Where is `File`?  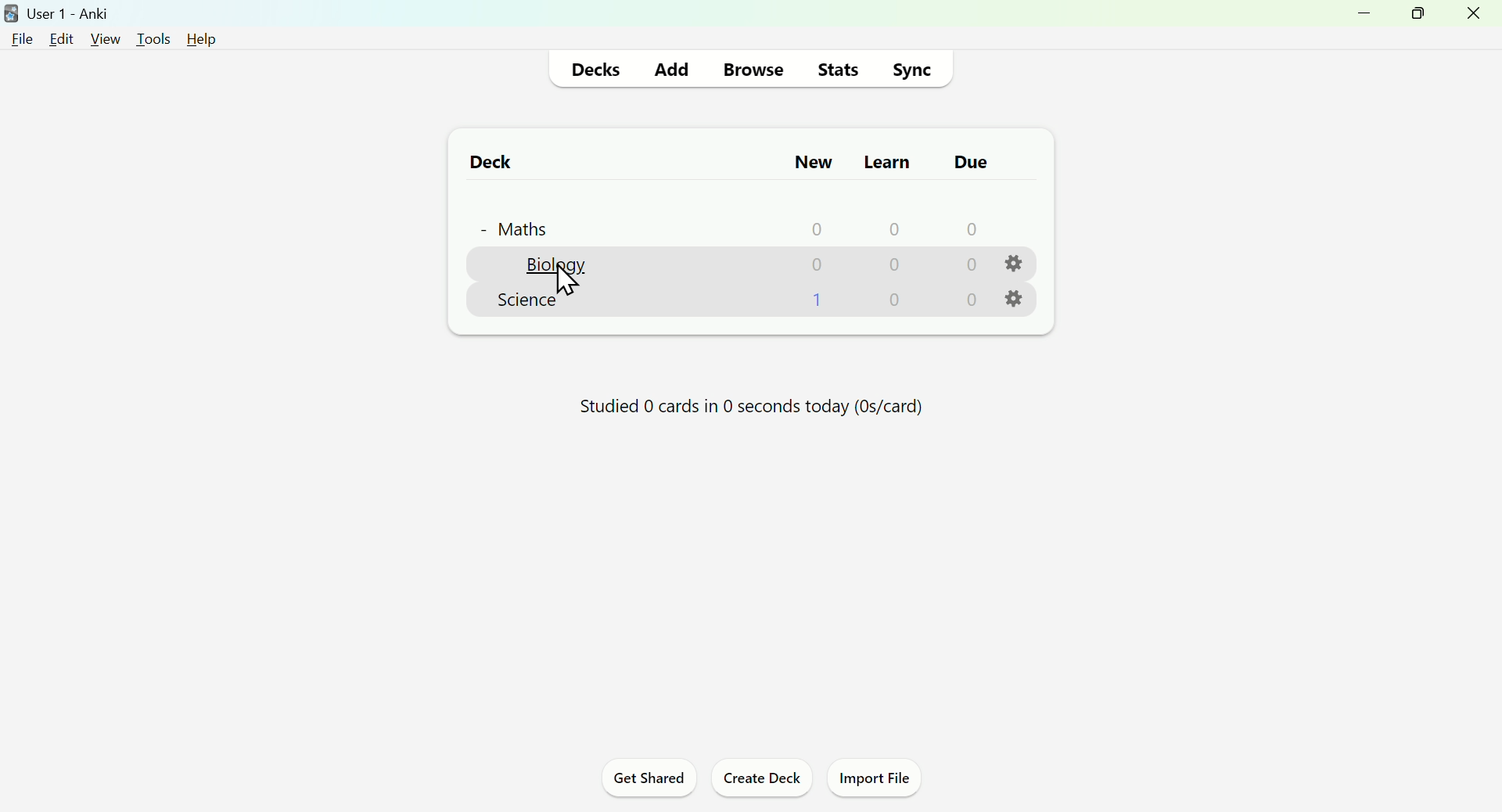
File is located at coordinates (23, 38).